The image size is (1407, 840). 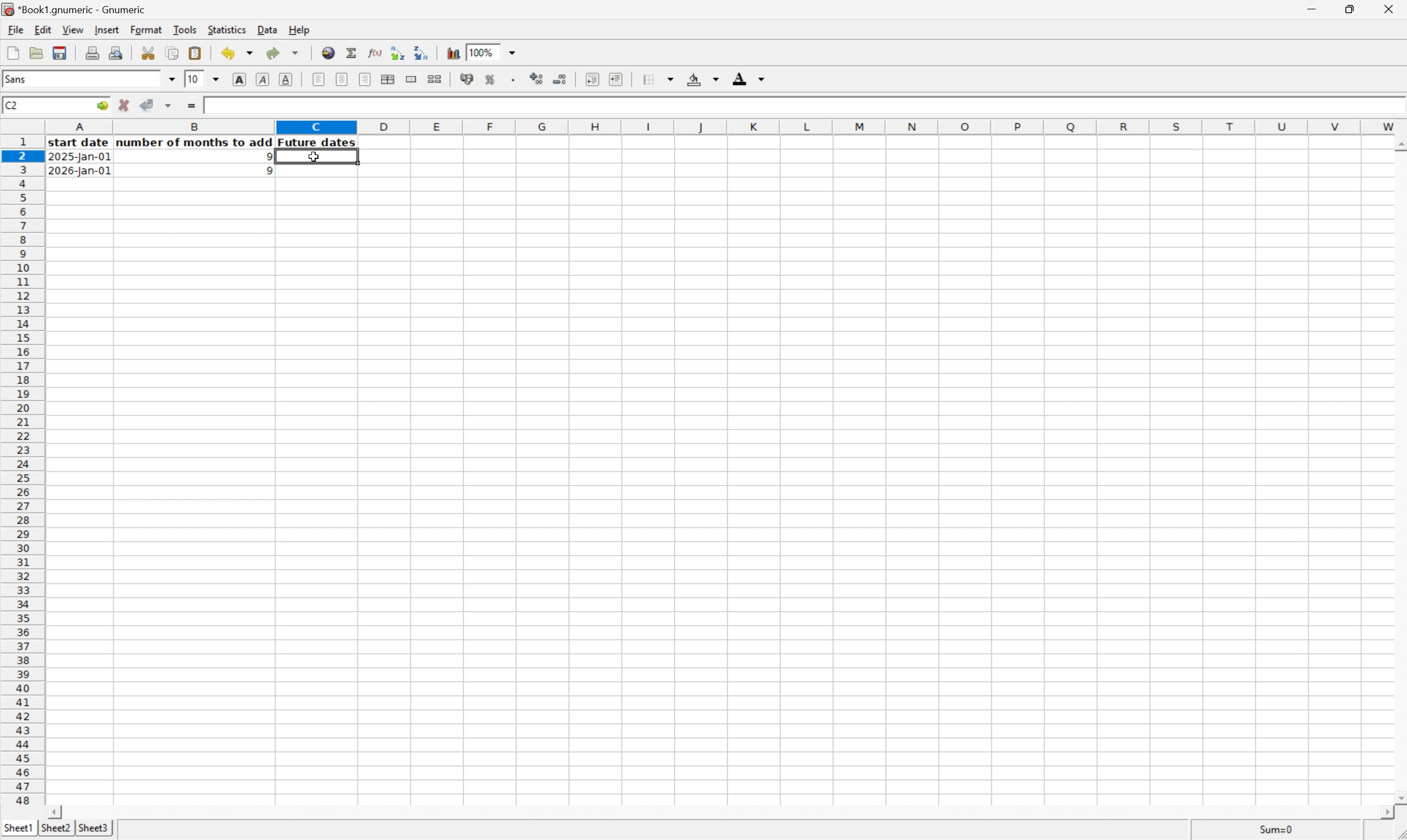 I want to click on number of months to add, so click(x=195, y=143).